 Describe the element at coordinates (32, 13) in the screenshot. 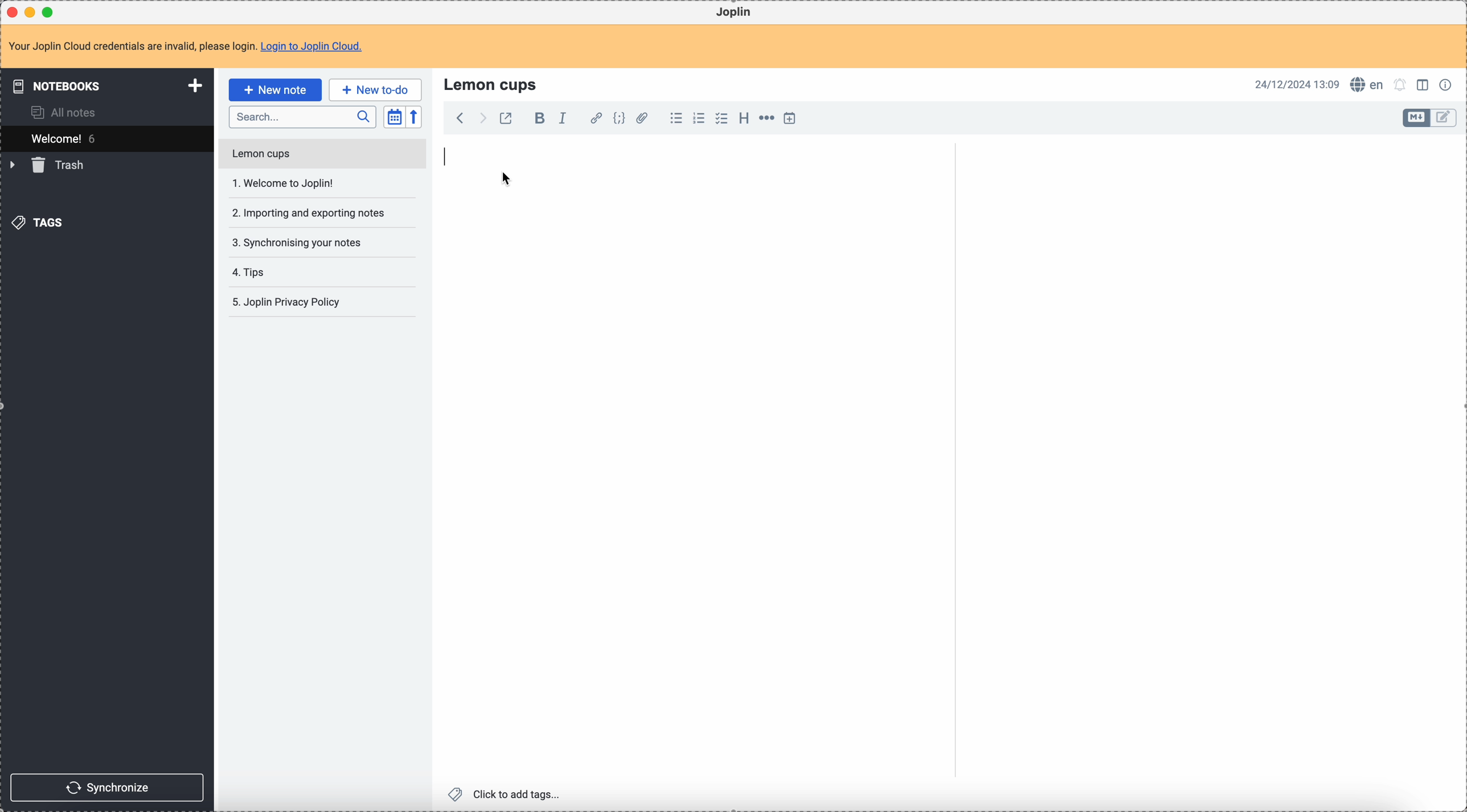

I see `minimize` at that location.